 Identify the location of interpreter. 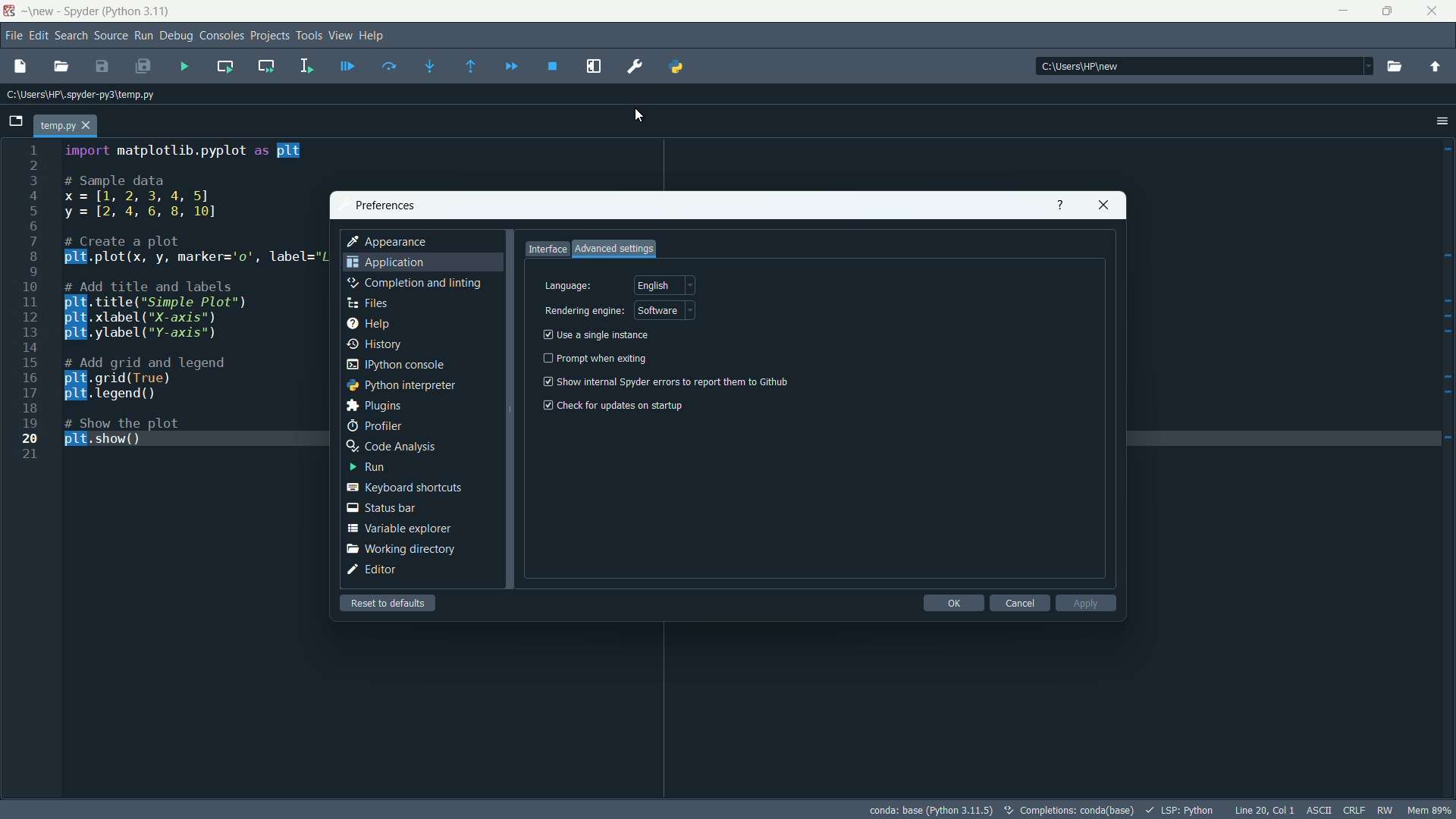
(931, 811).